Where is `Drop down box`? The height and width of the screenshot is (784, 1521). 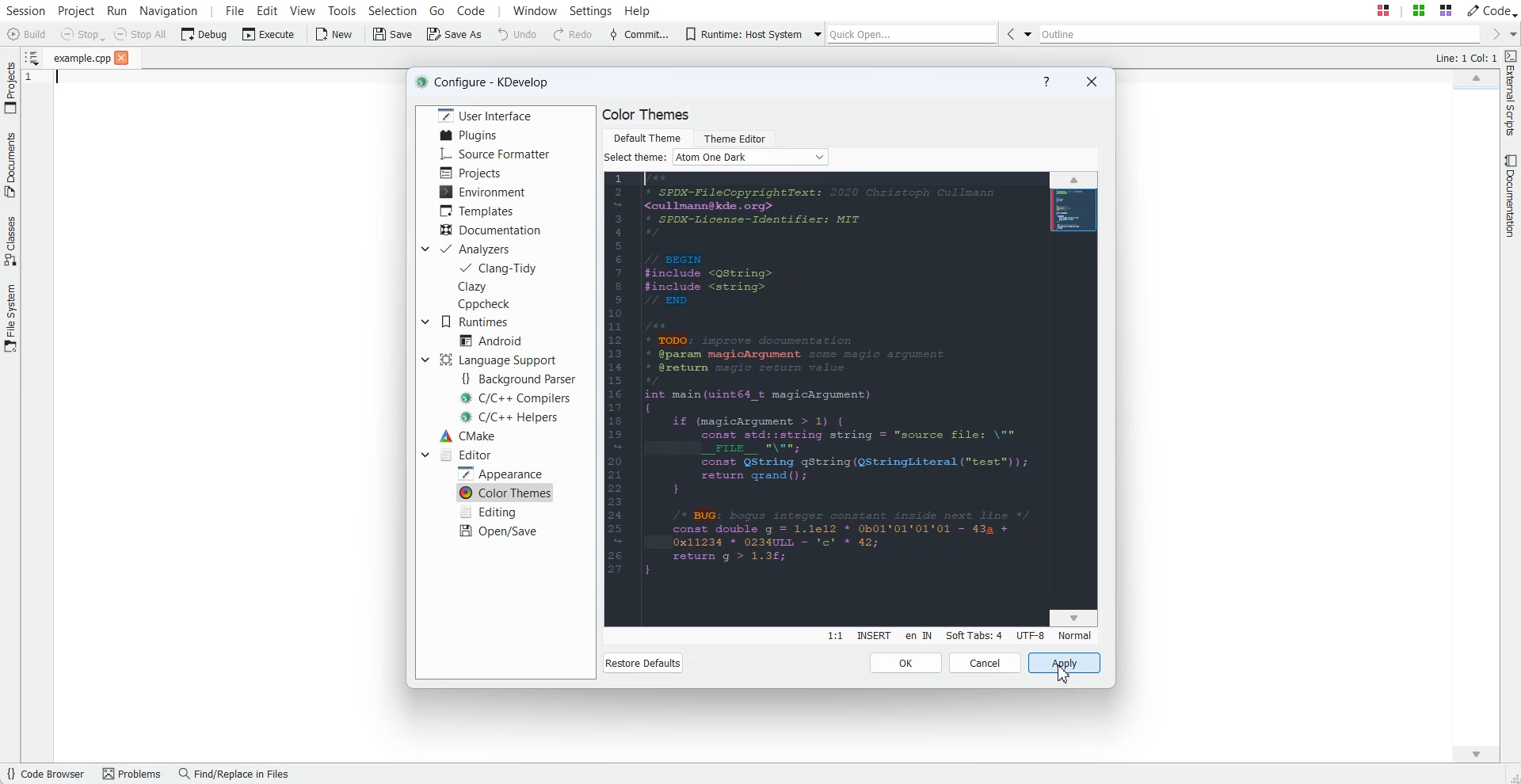
Drop down box is located at coordinates (425, 360).